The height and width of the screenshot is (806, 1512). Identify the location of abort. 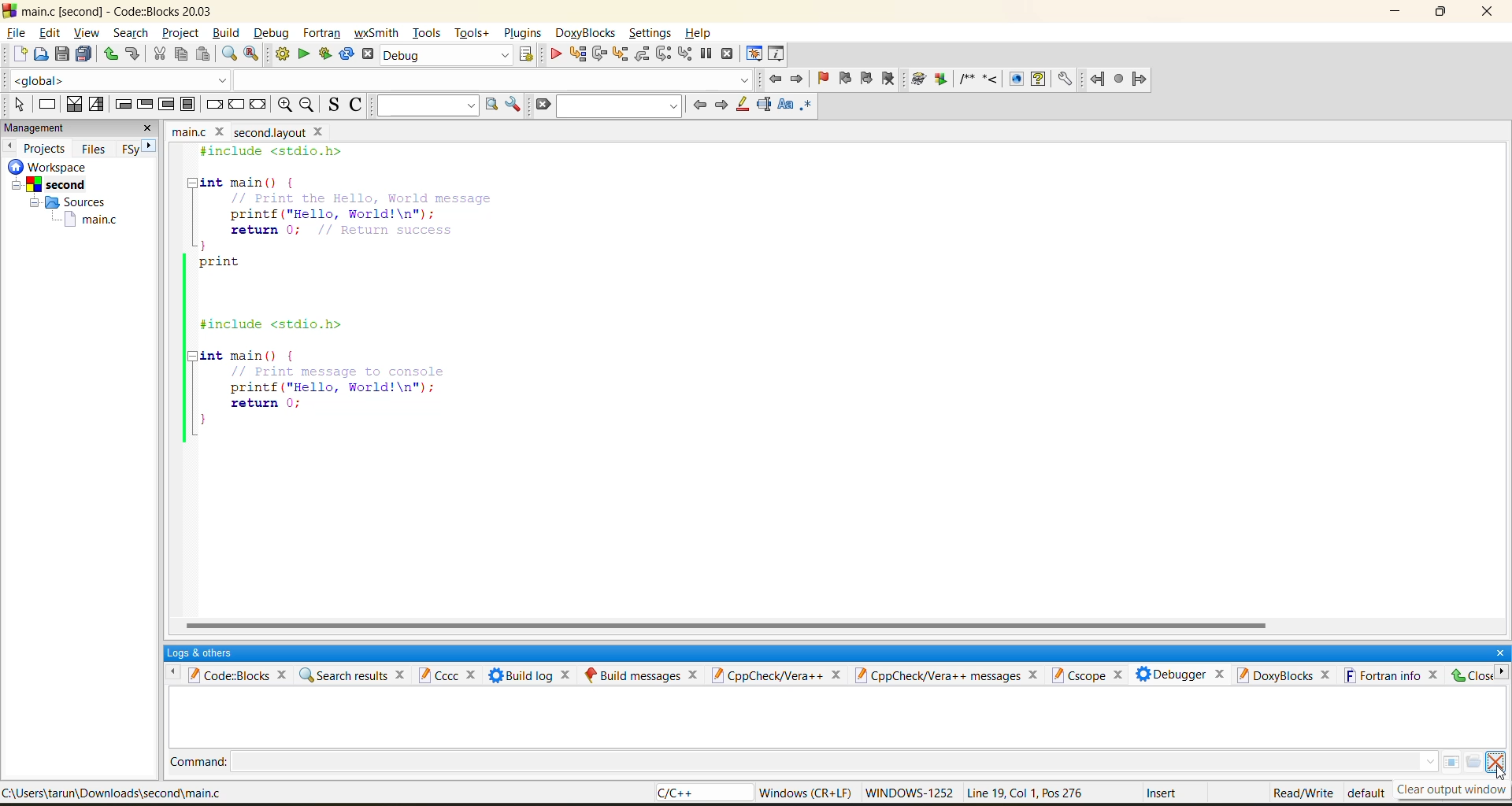
(371, 53).